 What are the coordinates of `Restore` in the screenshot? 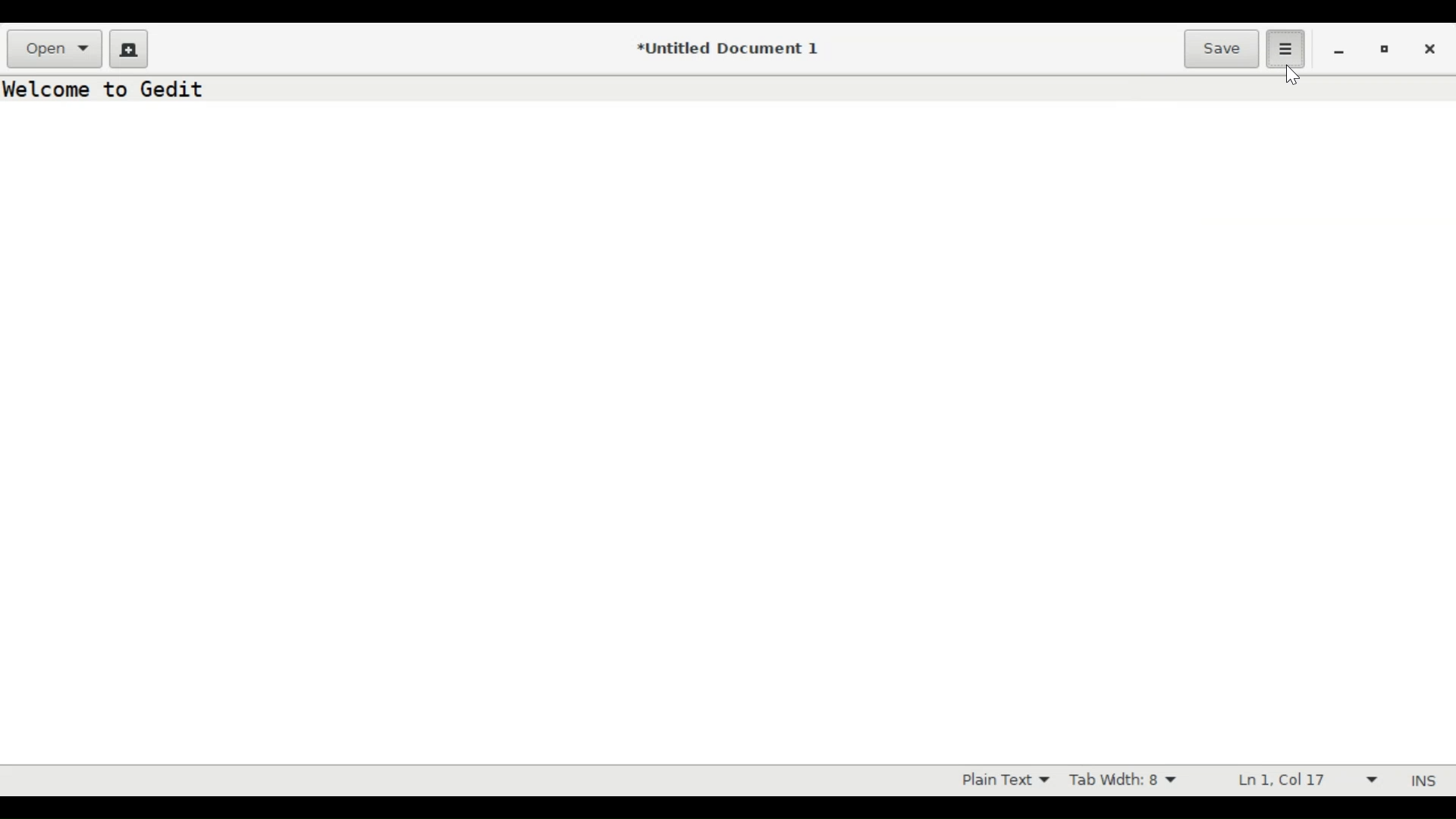 It's located at (1385, 48).